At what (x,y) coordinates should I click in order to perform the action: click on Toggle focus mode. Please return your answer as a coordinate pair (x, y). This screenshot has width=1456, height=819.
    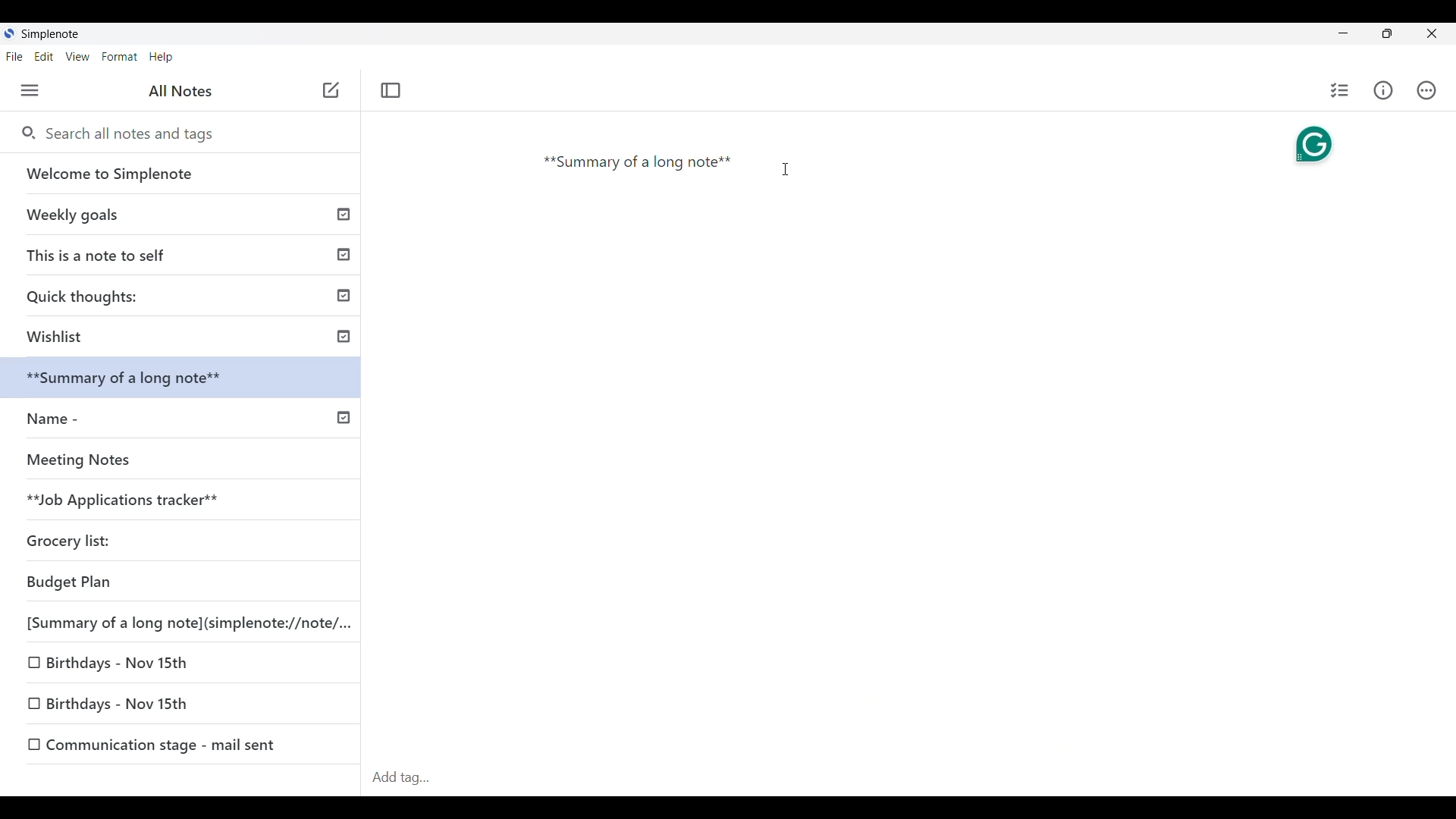
    Looking at the image, I should click on (391, 90).